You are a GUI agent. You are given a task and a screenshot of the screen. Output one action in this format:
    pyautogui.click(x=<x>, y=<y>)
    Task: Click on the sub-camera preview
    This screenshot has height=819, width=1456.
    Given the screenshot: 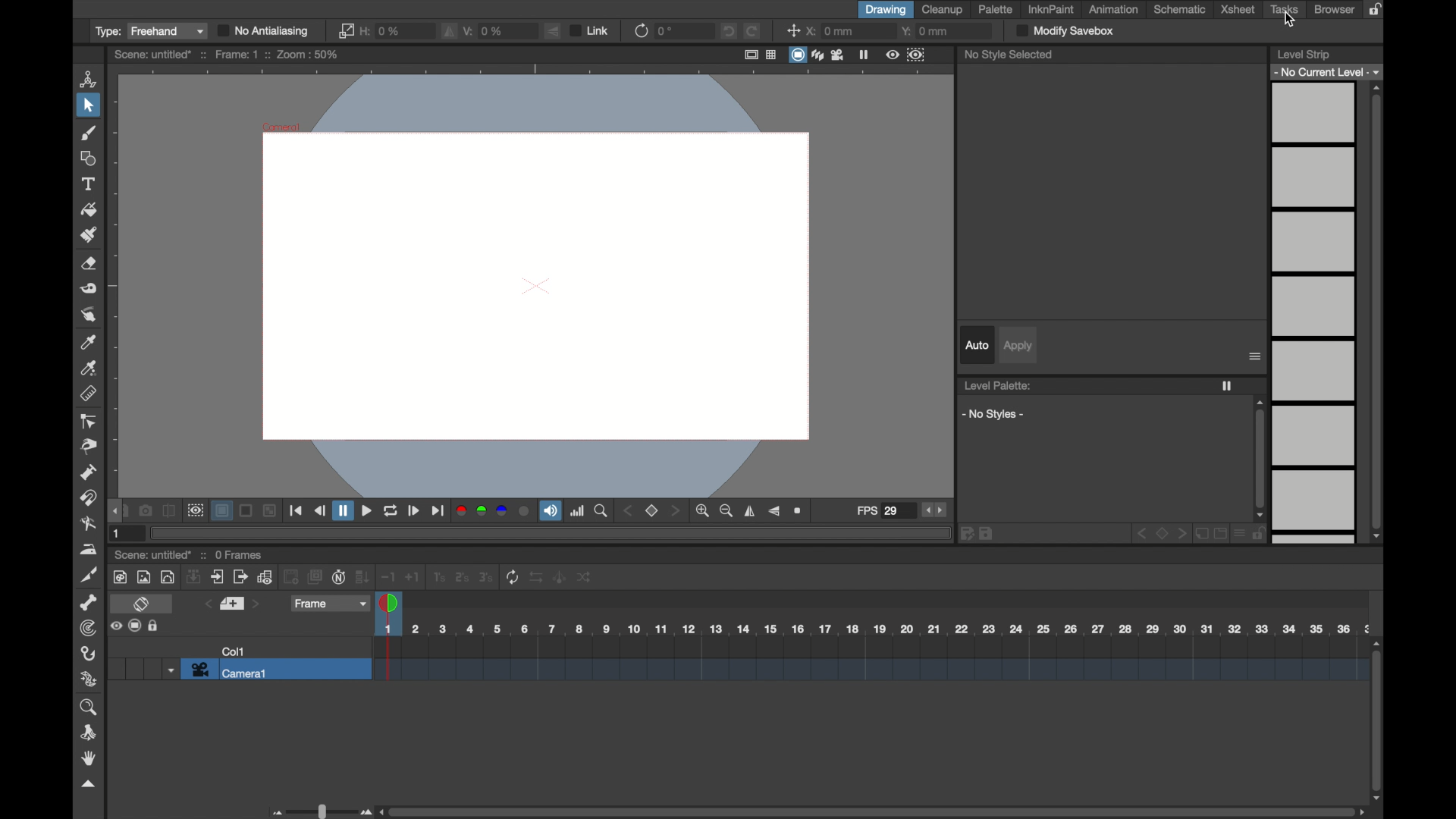 What is the action you would take?
    pyautogui.click(x=915, y=54)
    